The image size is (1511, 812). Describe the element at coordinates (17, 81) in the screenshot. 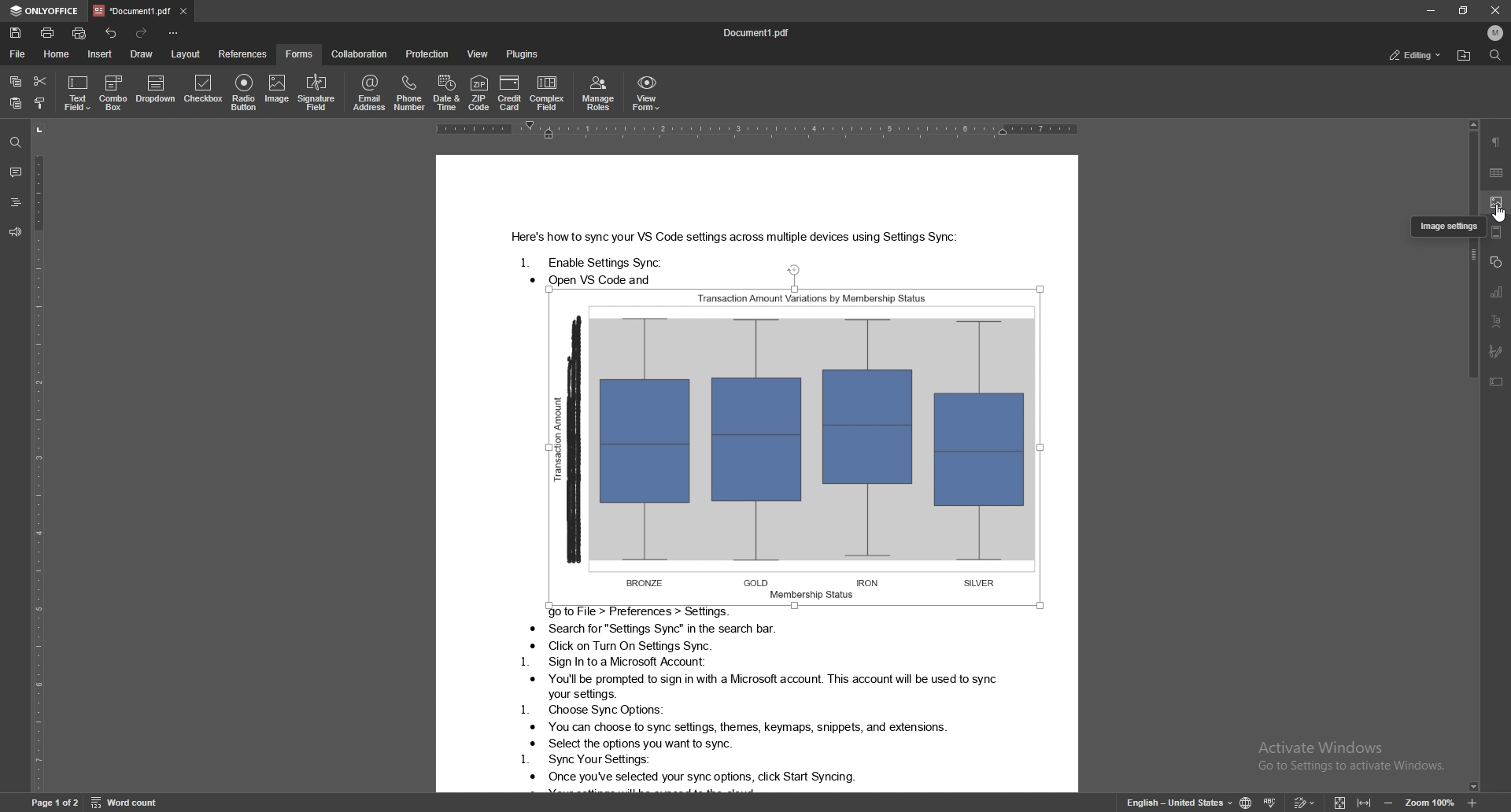

I see `copy` at that location.